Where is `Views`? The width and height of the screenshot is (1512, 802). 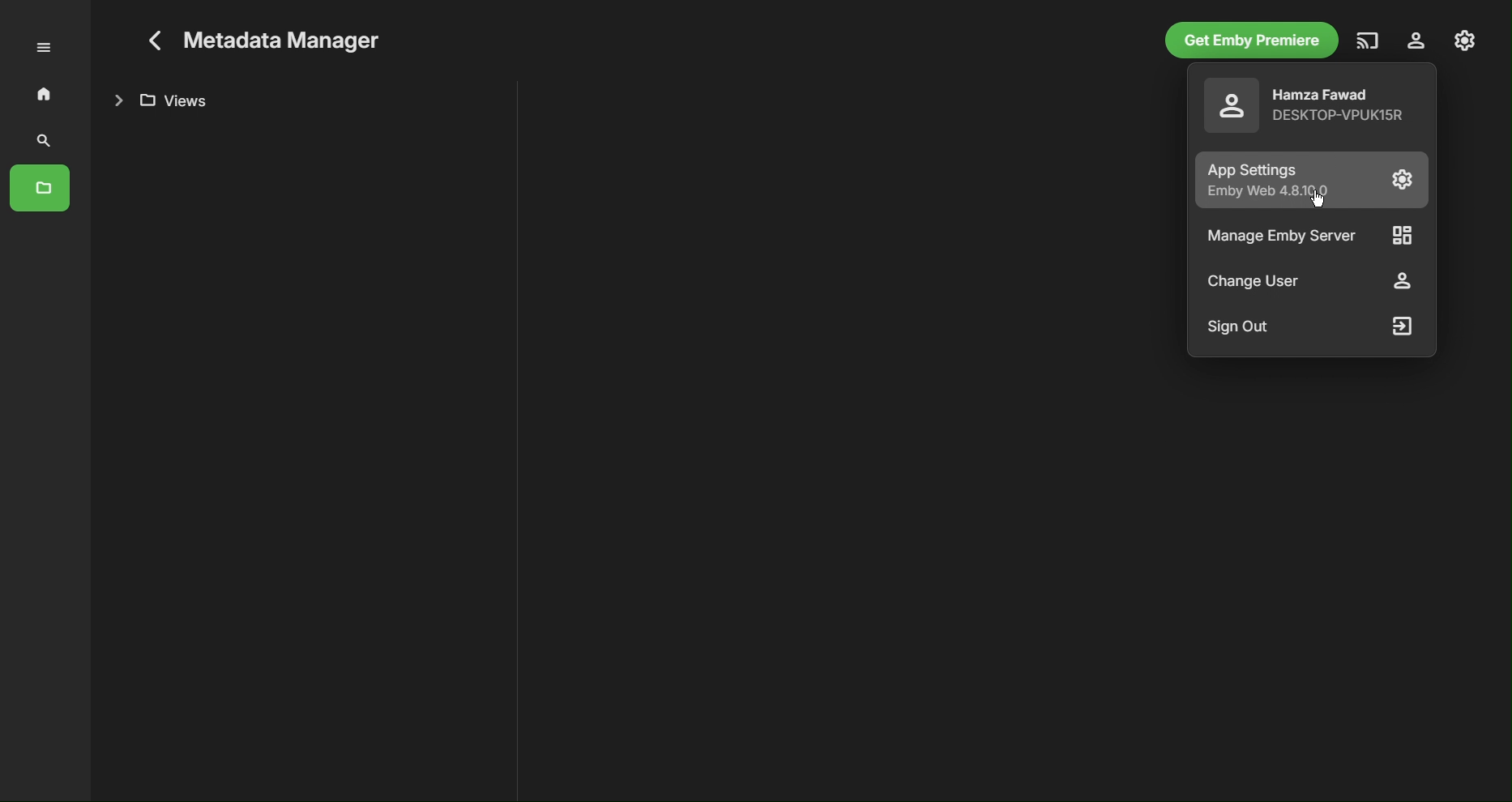 Views is located at coordinates (168, 99).